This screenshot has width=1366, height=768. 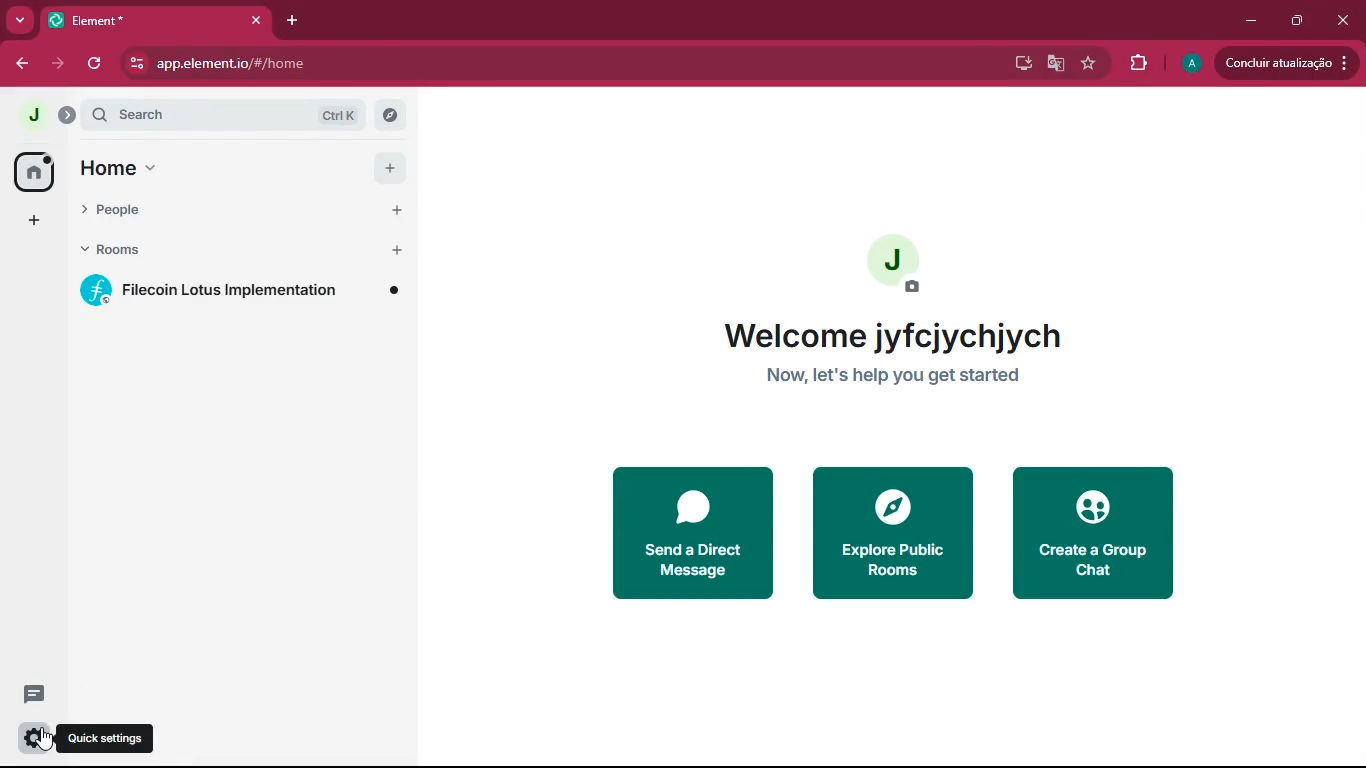 What do you see at coordinates (223, 114) in the screenshot?
I see `search` at bounding box center [223, 114].